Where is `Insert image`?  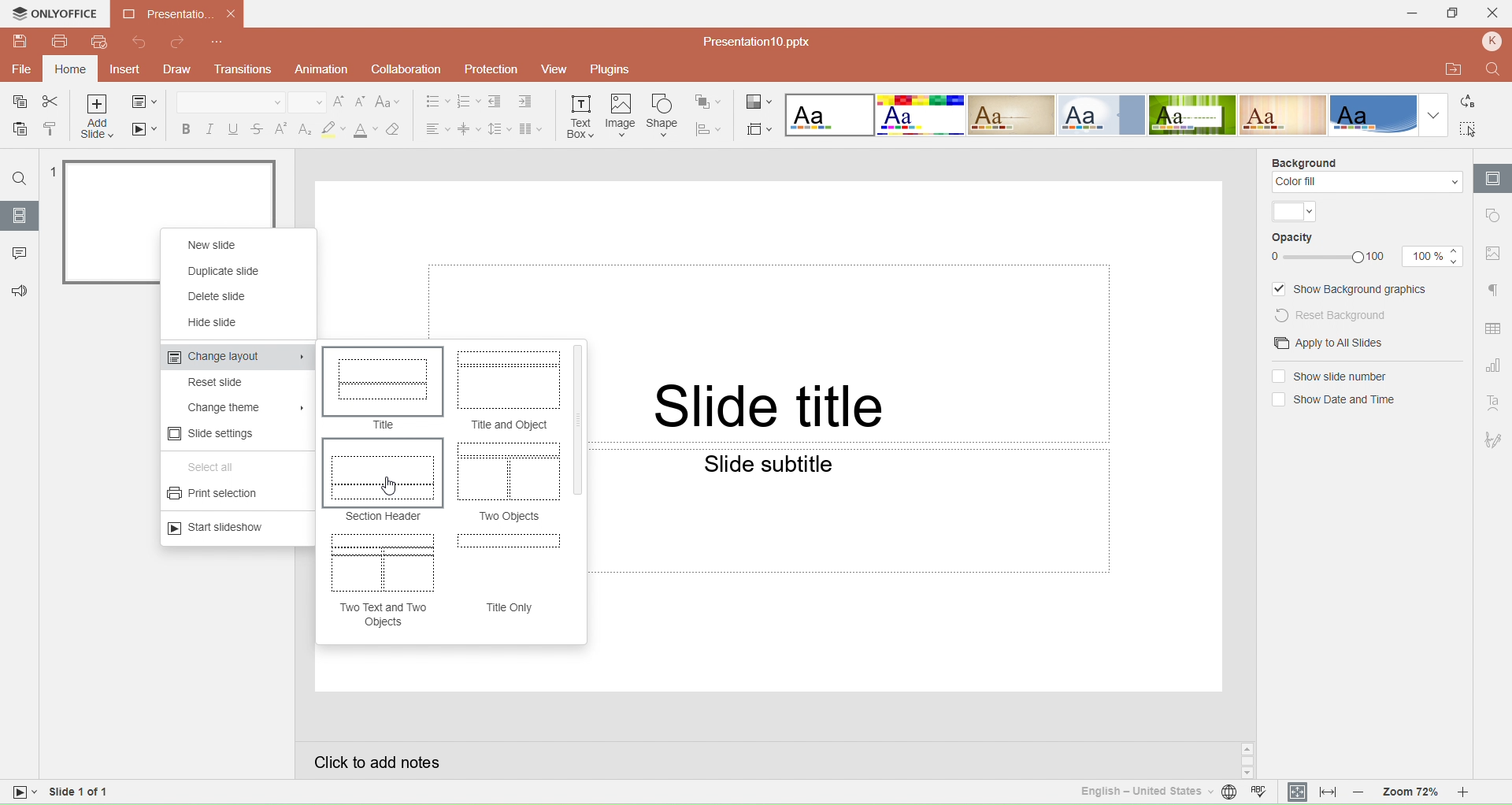 Insert image is located at coordinates (621, 116).